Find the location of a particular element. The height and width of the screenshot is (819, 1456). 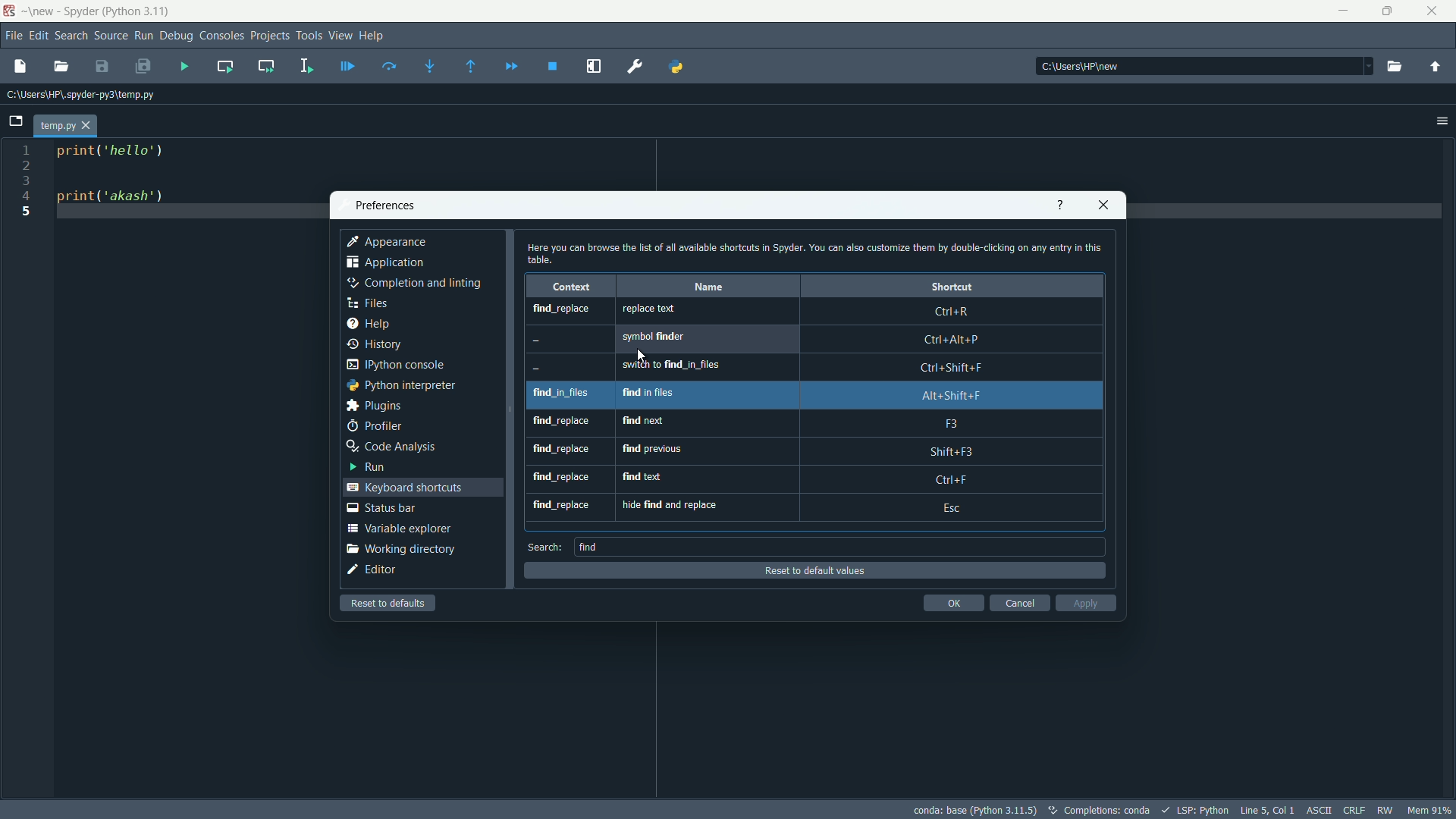

python path manger is located at coordinates (677, 70).